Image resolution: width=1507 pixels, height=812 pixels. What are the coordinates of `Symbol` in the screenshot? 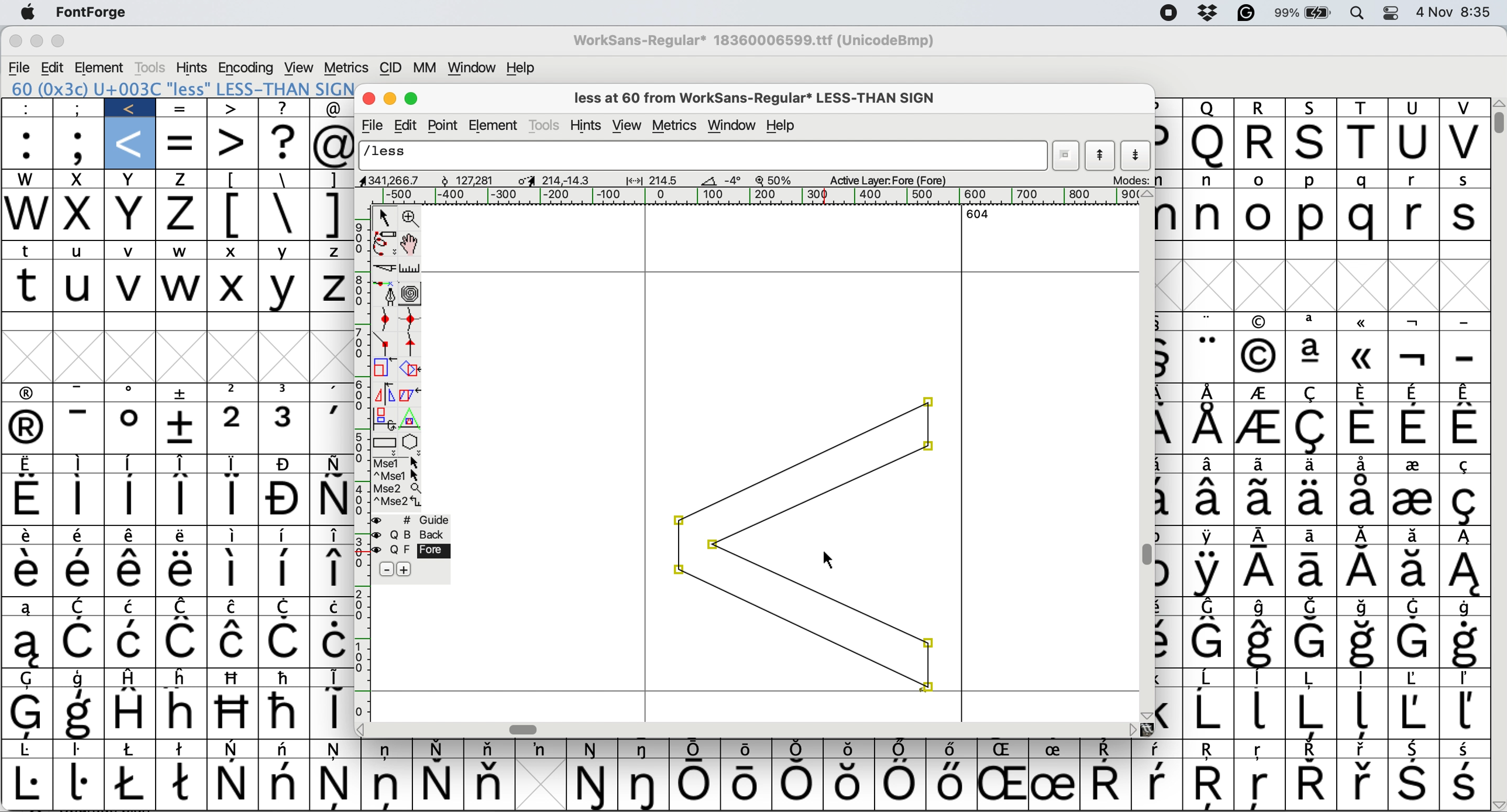 It's located at (1259, 713).